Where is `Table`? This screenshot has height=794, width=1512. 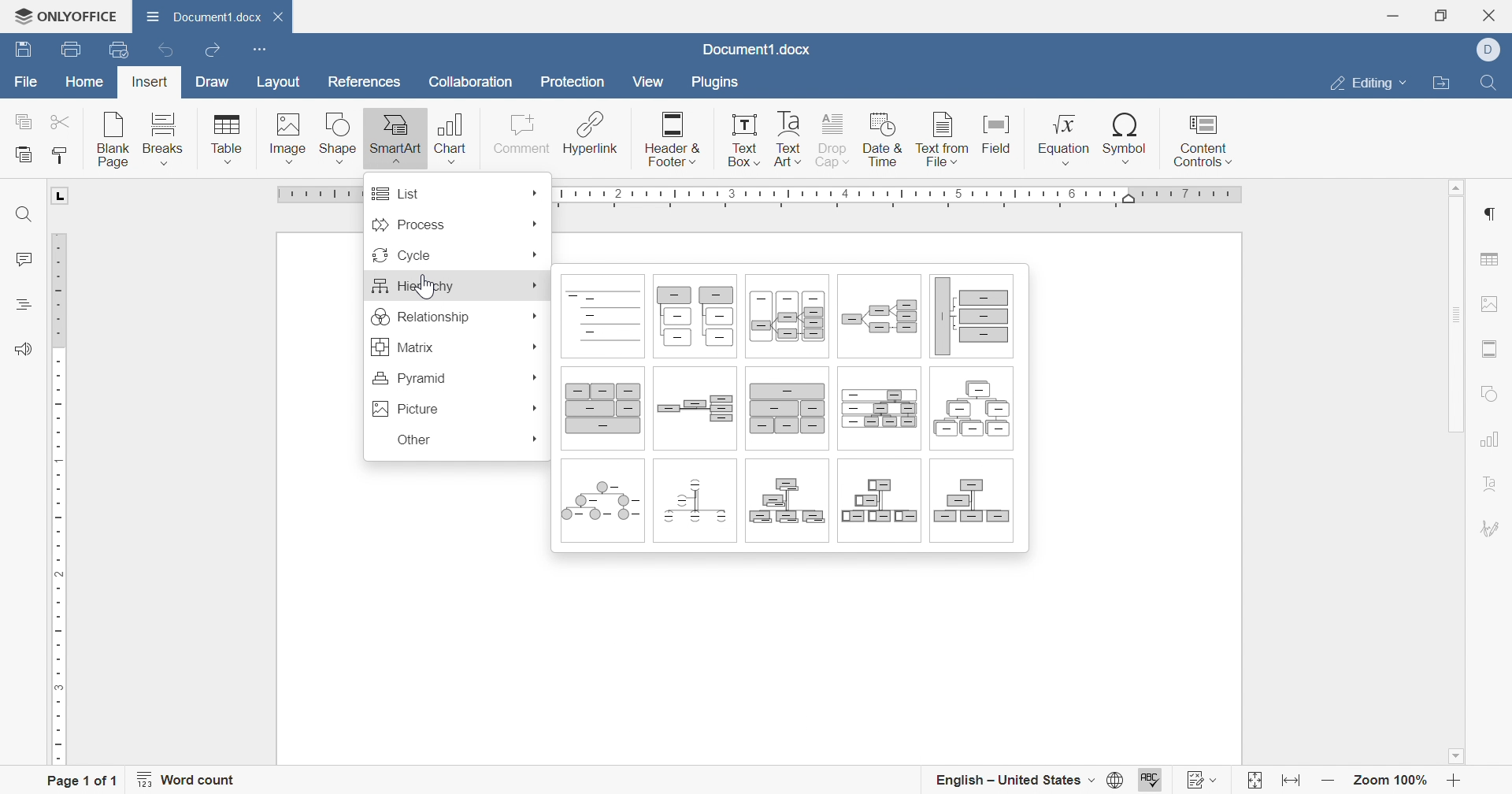 Table is located at coordinates (228, 139).